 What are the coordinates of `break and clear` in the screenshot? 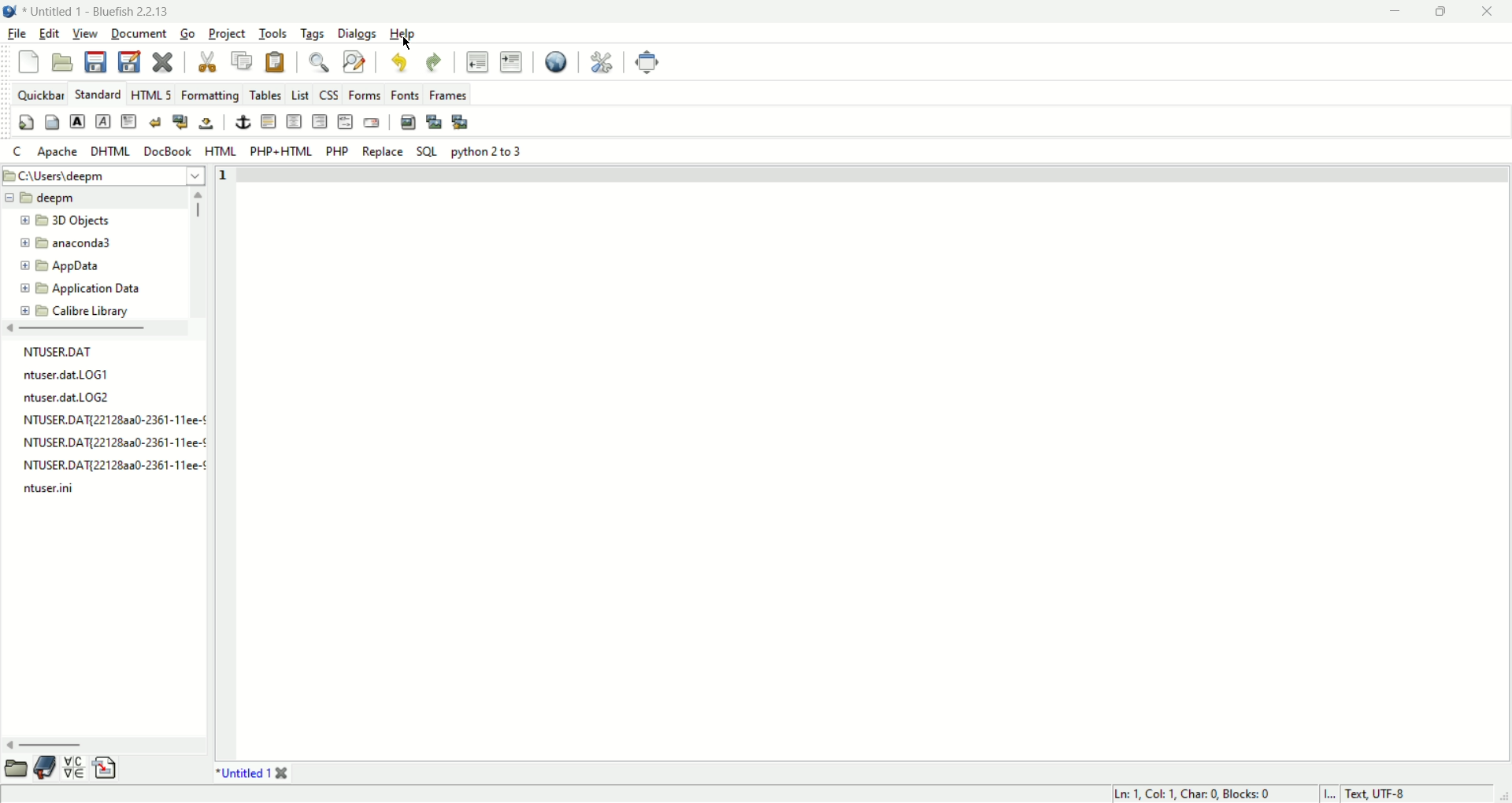 It's located at (181, 121).